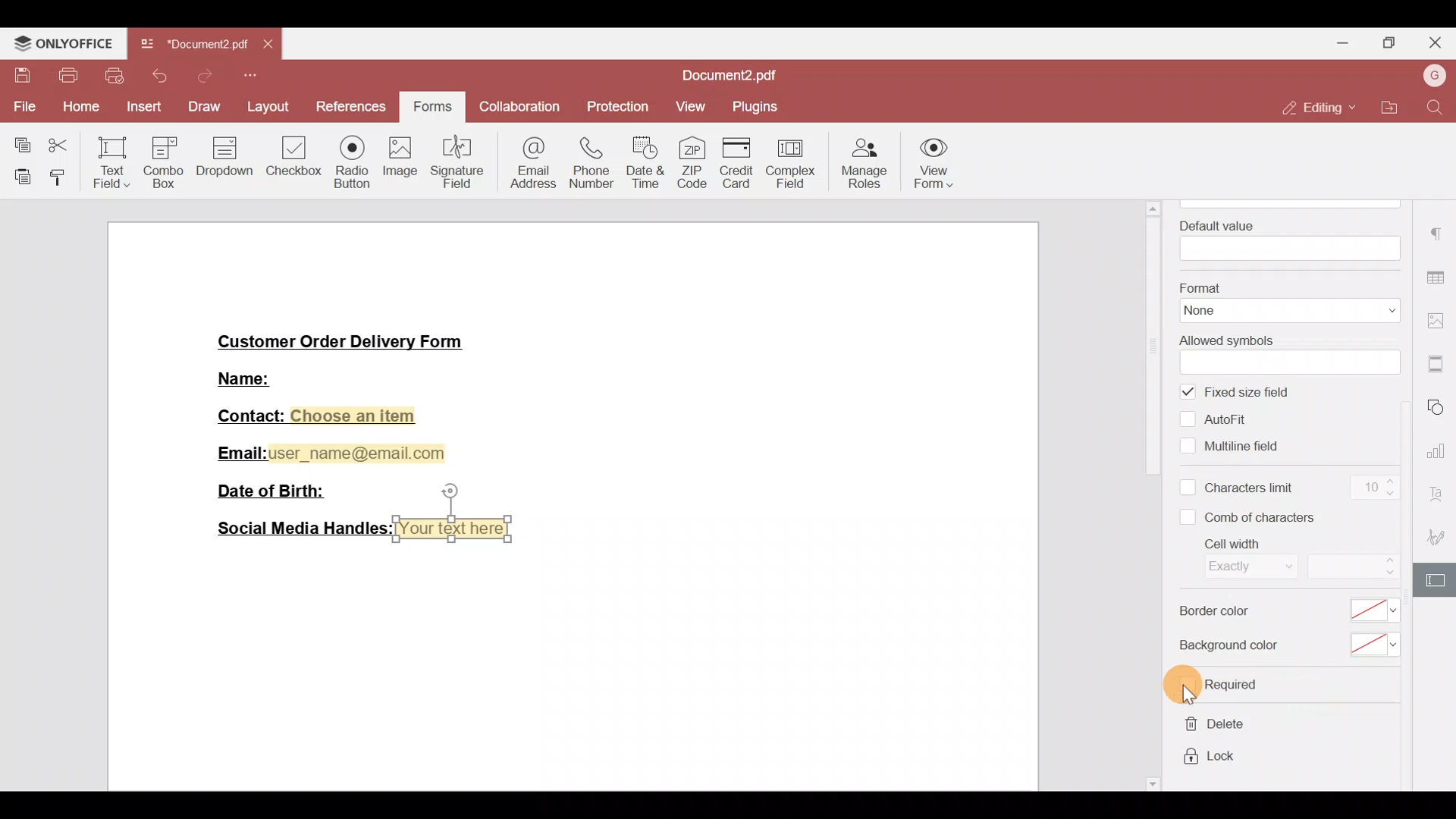 The height and width of the screenshot is (819, 1456). Describe the element at coordinates (1285, 352) in the screenshot. I see `Allowed symbols` at that location.